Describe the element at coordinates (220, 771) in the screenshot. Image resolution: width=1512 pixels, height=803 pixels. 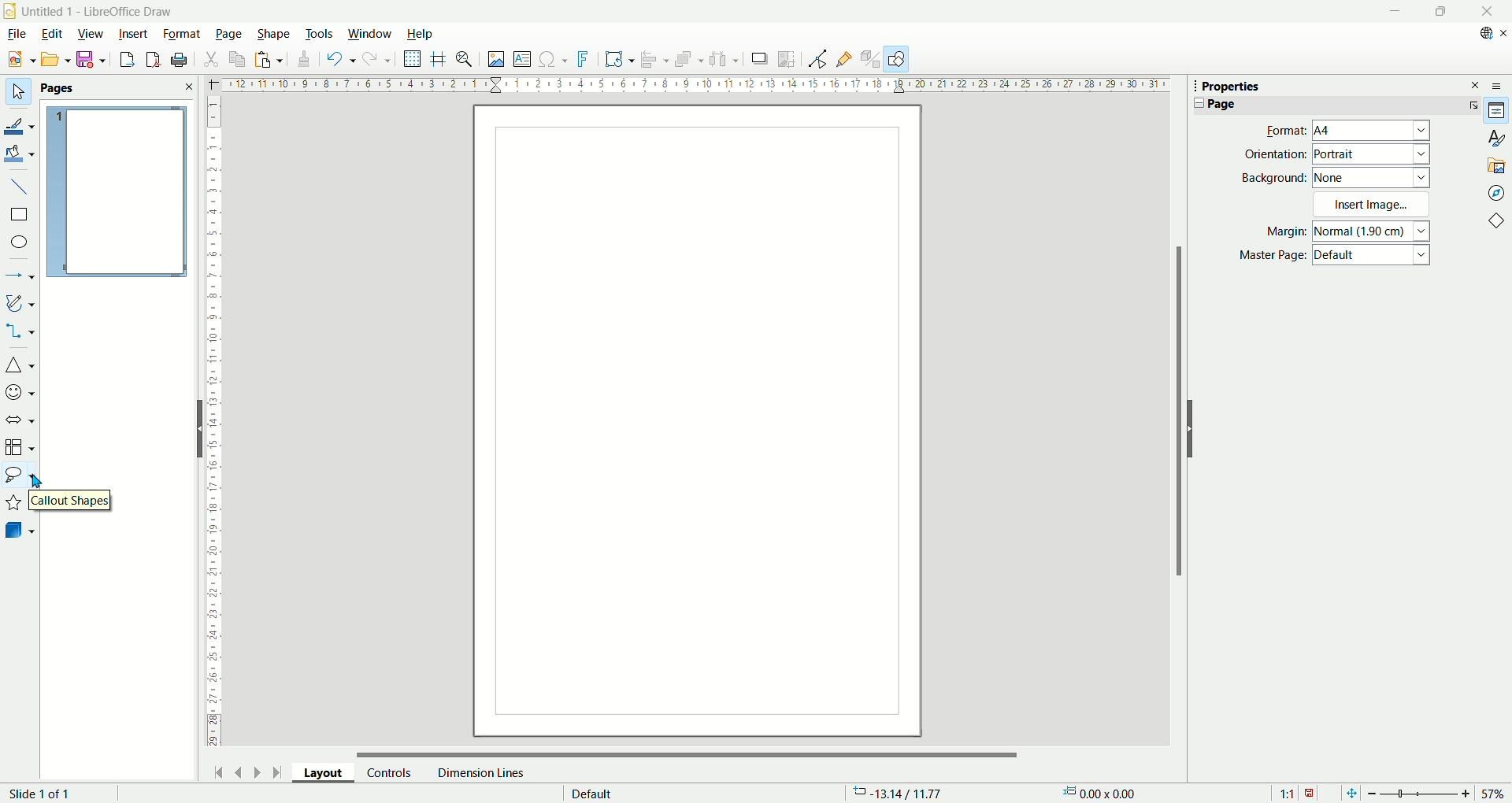
I see `go to first page` at that location.